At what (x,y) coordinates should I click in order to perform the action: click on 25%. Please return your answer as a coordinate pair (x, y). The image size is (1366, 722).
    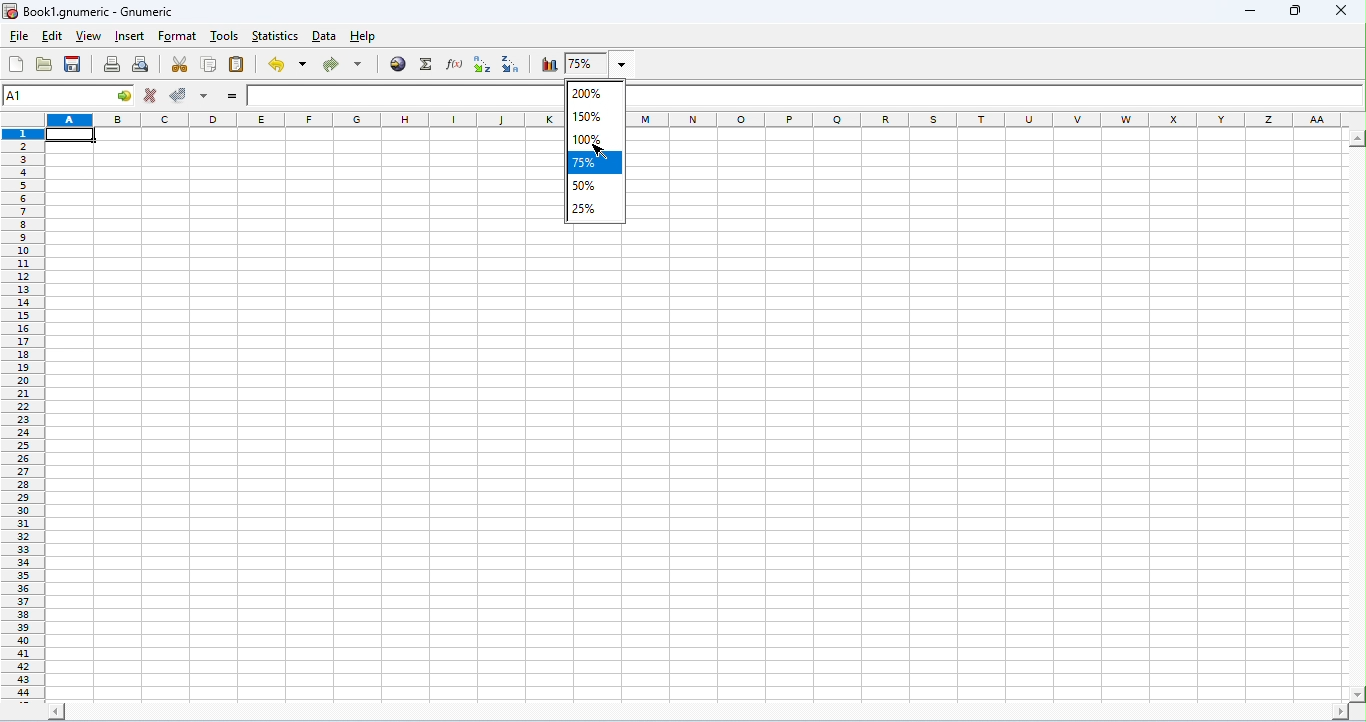
    Looking at the image, I should click on (597, 210).